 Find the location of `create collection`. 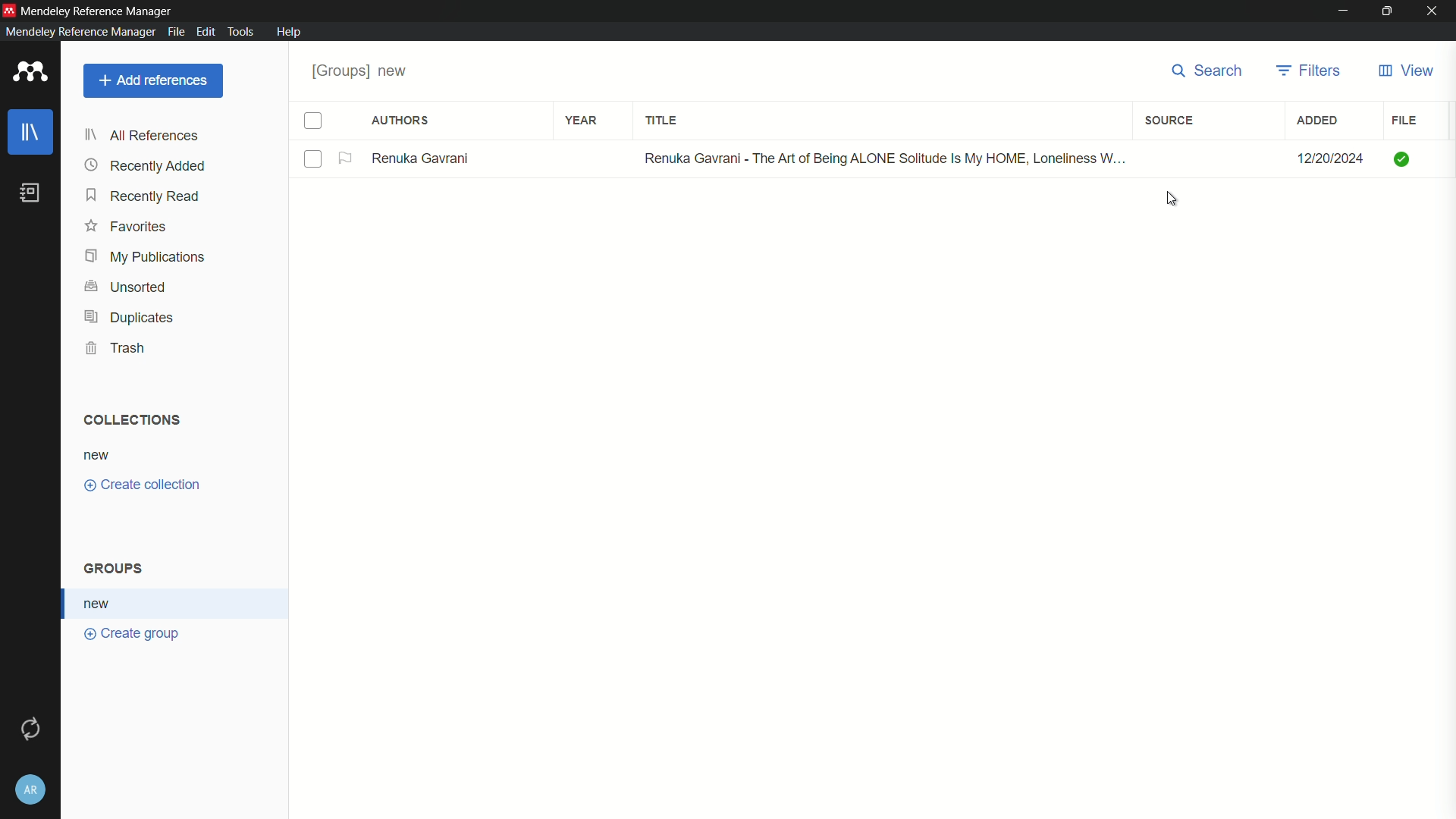

create collection is located at coordinates (145, 485).